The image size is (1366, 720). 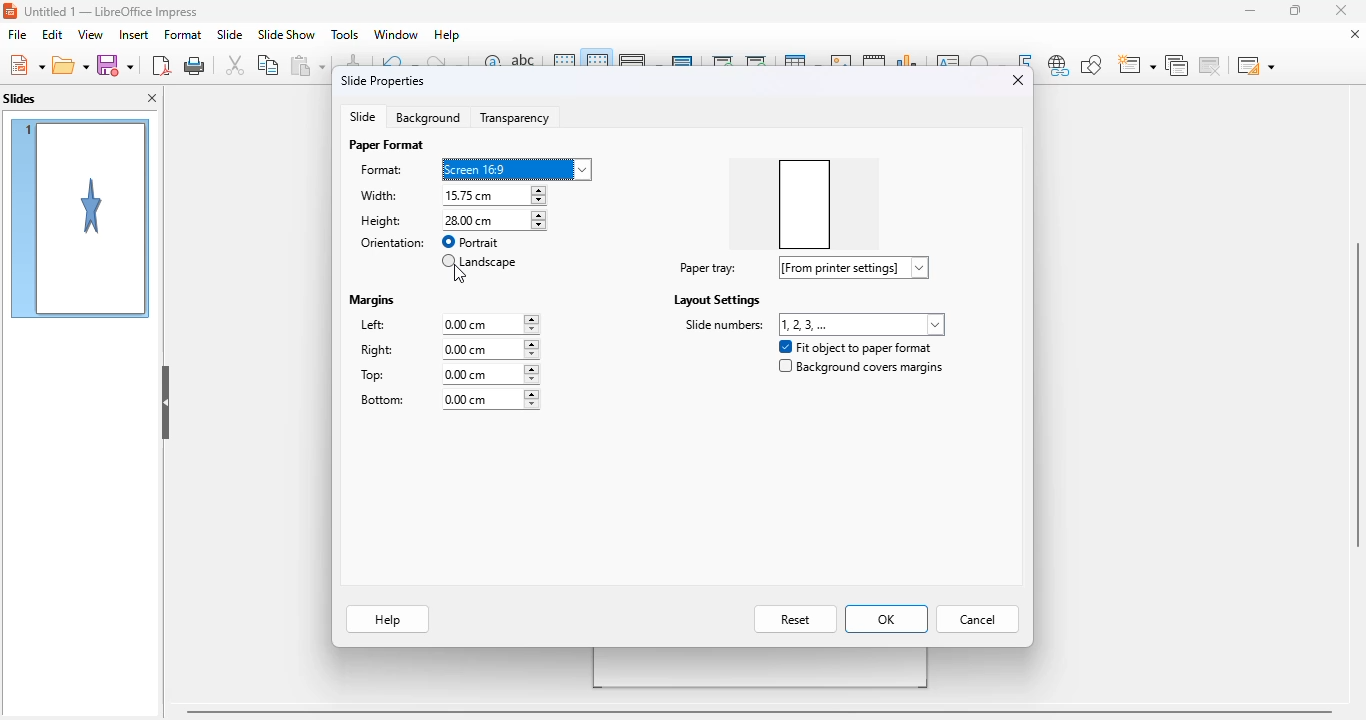 What do you see at coordinates (90, 35) in the screenshot?
I see `view` at bounding box center [90, 35].